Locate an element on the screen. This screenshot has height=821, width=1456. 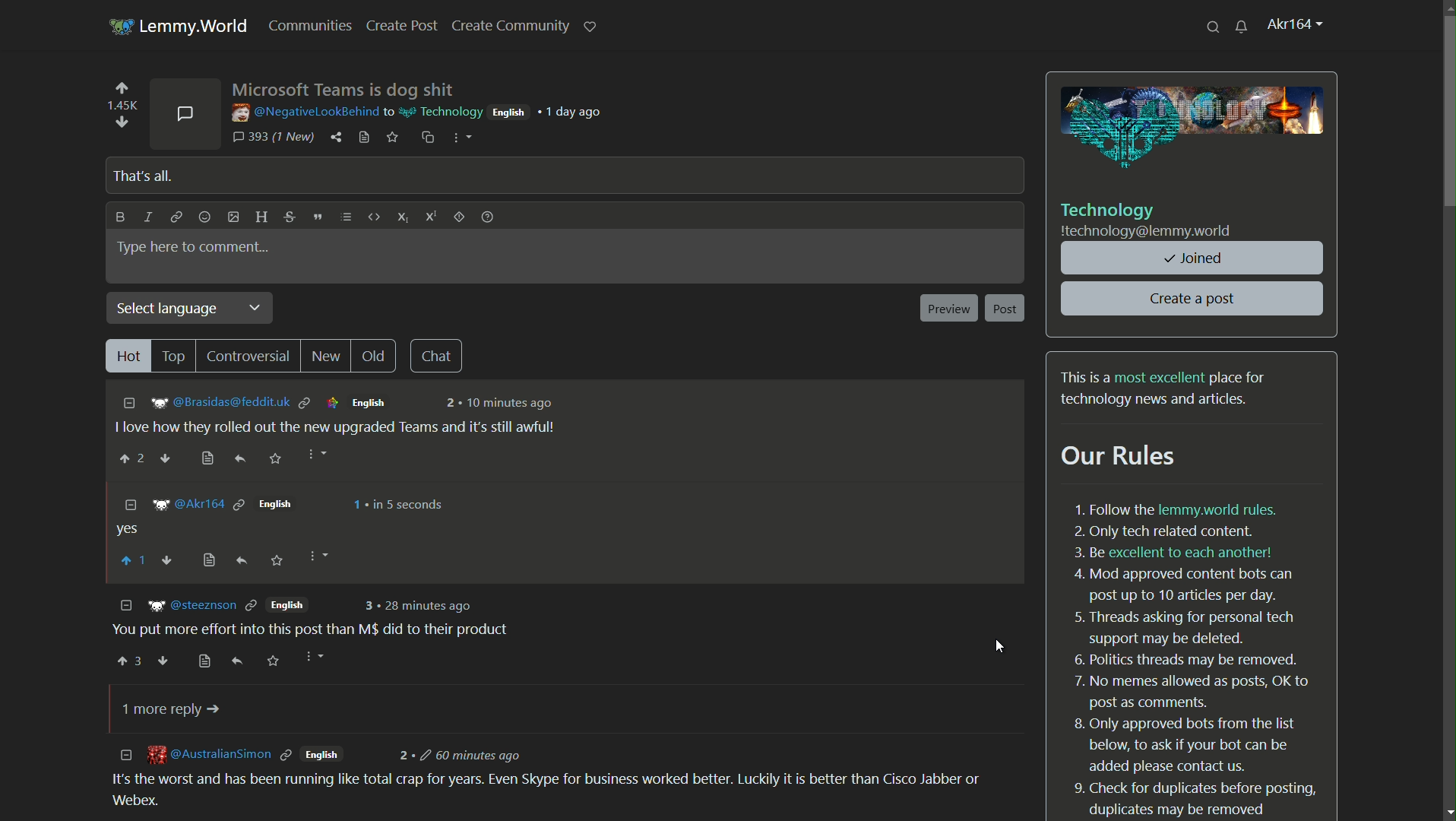
1 more reply is located at coordinates (178, 712).